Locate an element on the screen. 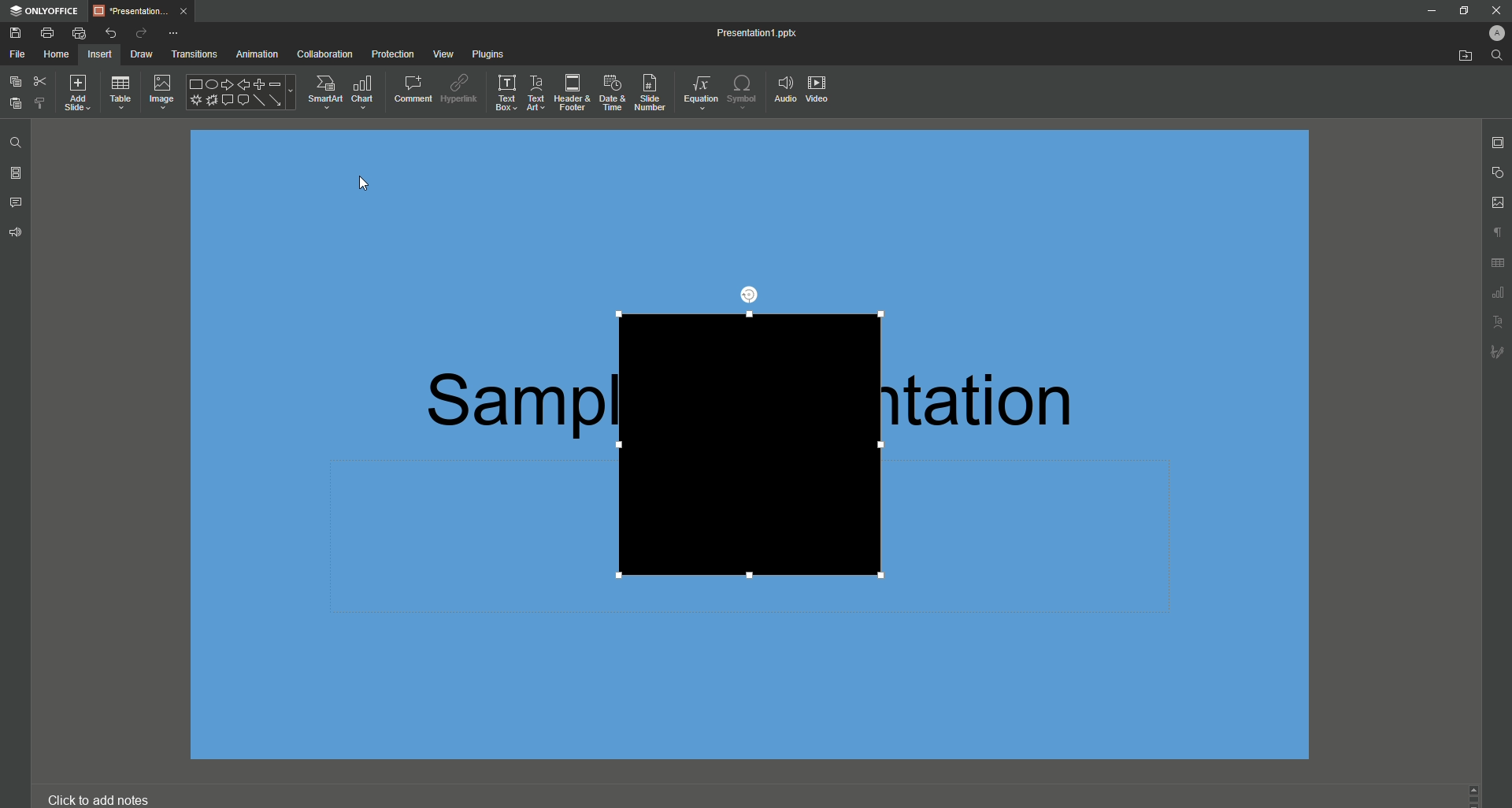 The image size is (1512, 808). Protection is located at coordinates (391, 53).